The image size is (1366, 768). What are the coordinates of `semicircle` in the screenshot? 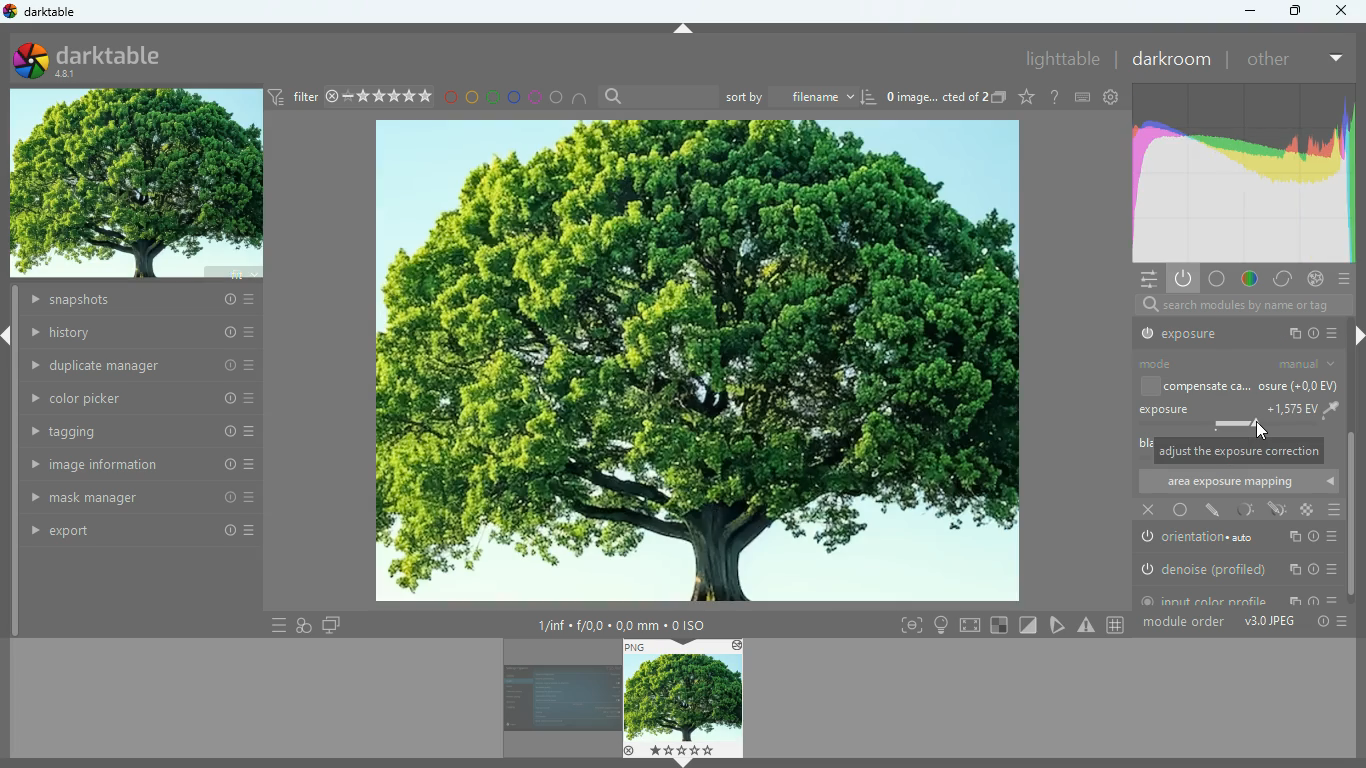 It's located at (581, 99).